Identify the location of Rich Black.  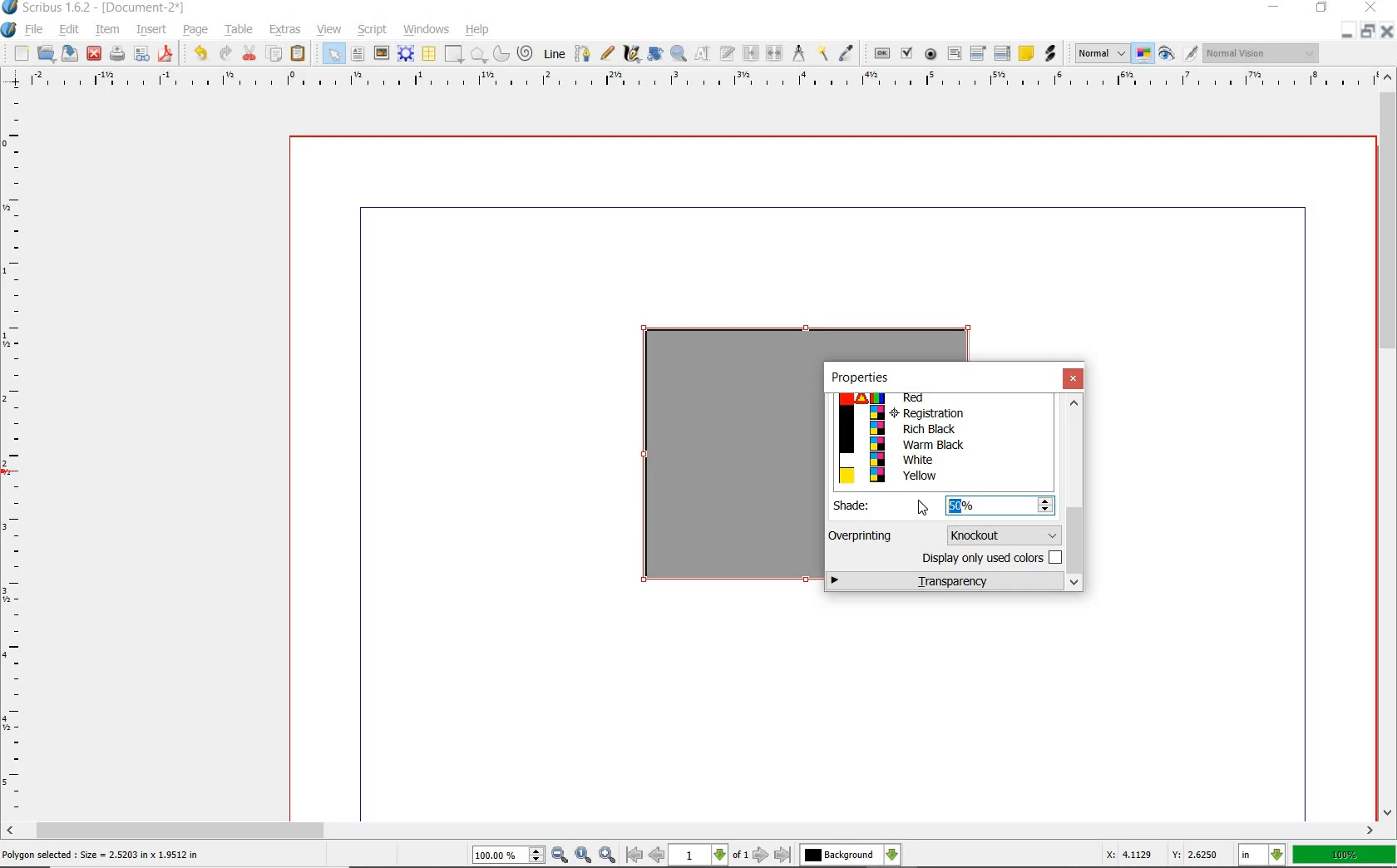
(941, 430).